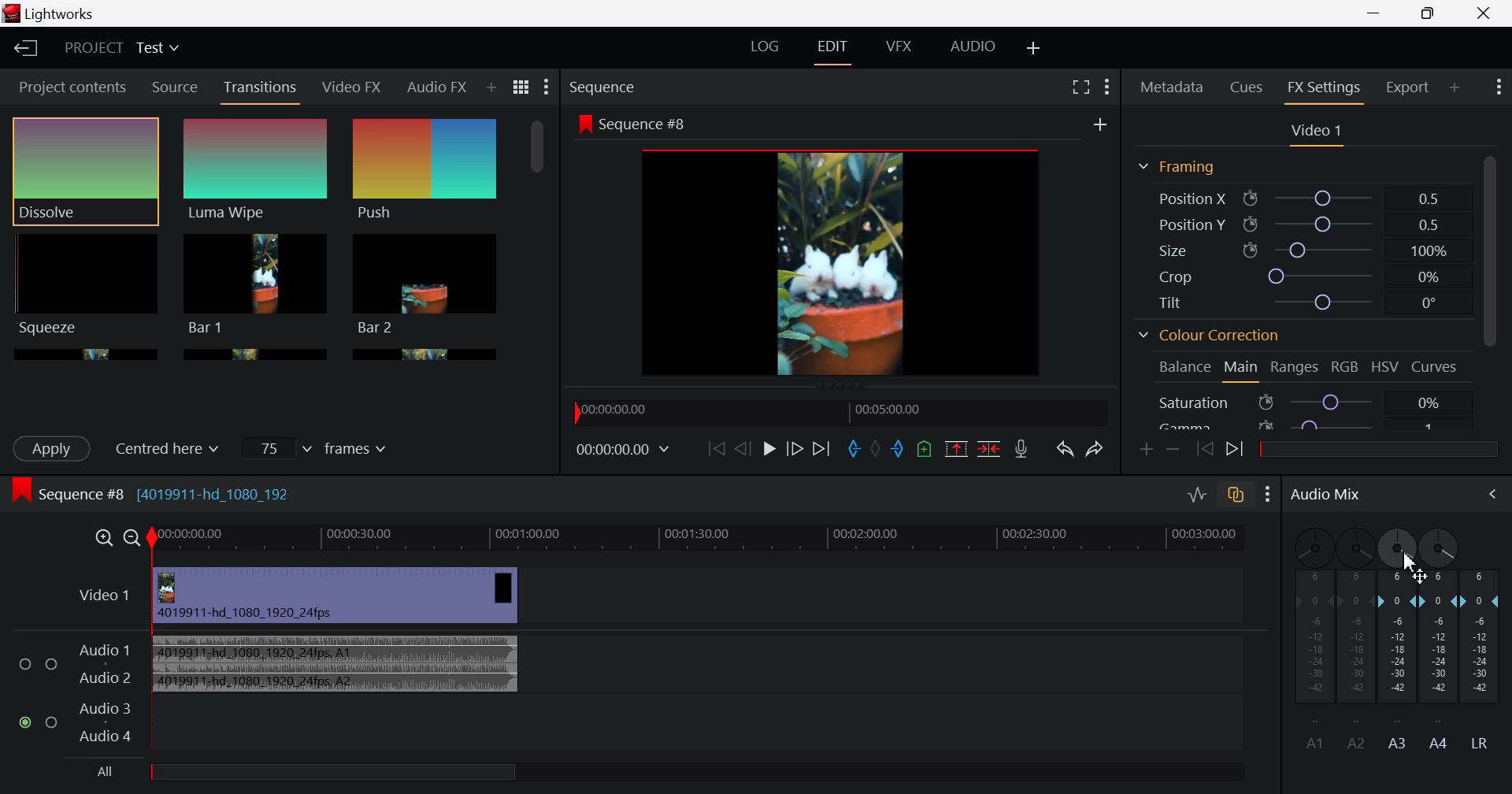 The width and height of the screenshot is (1512, 794). I want to click on AUDIO Layout, so click(976, 49).